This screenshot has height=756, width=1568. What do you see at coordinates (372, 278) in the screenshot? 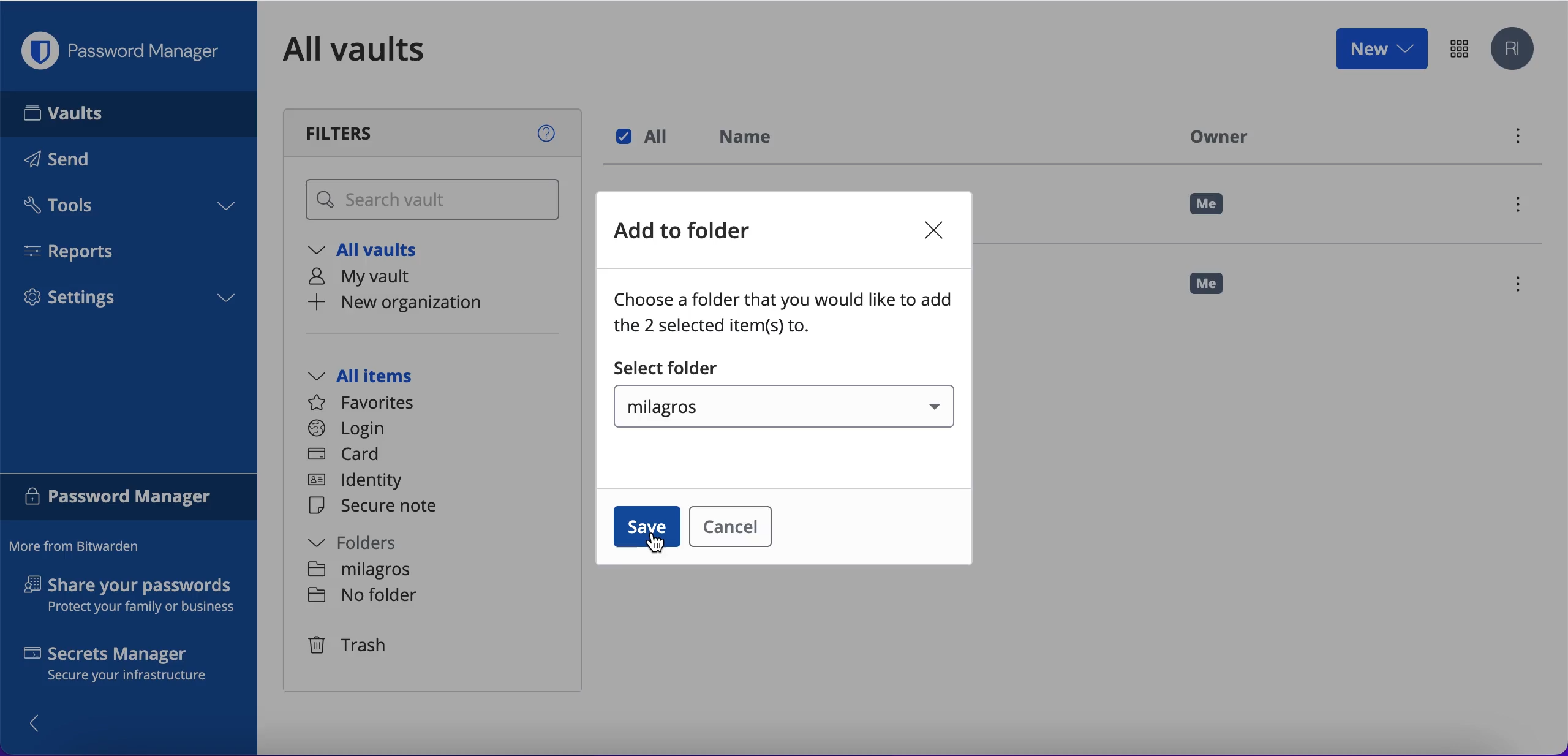
I see `my vault` at bounding box center [372, 278].